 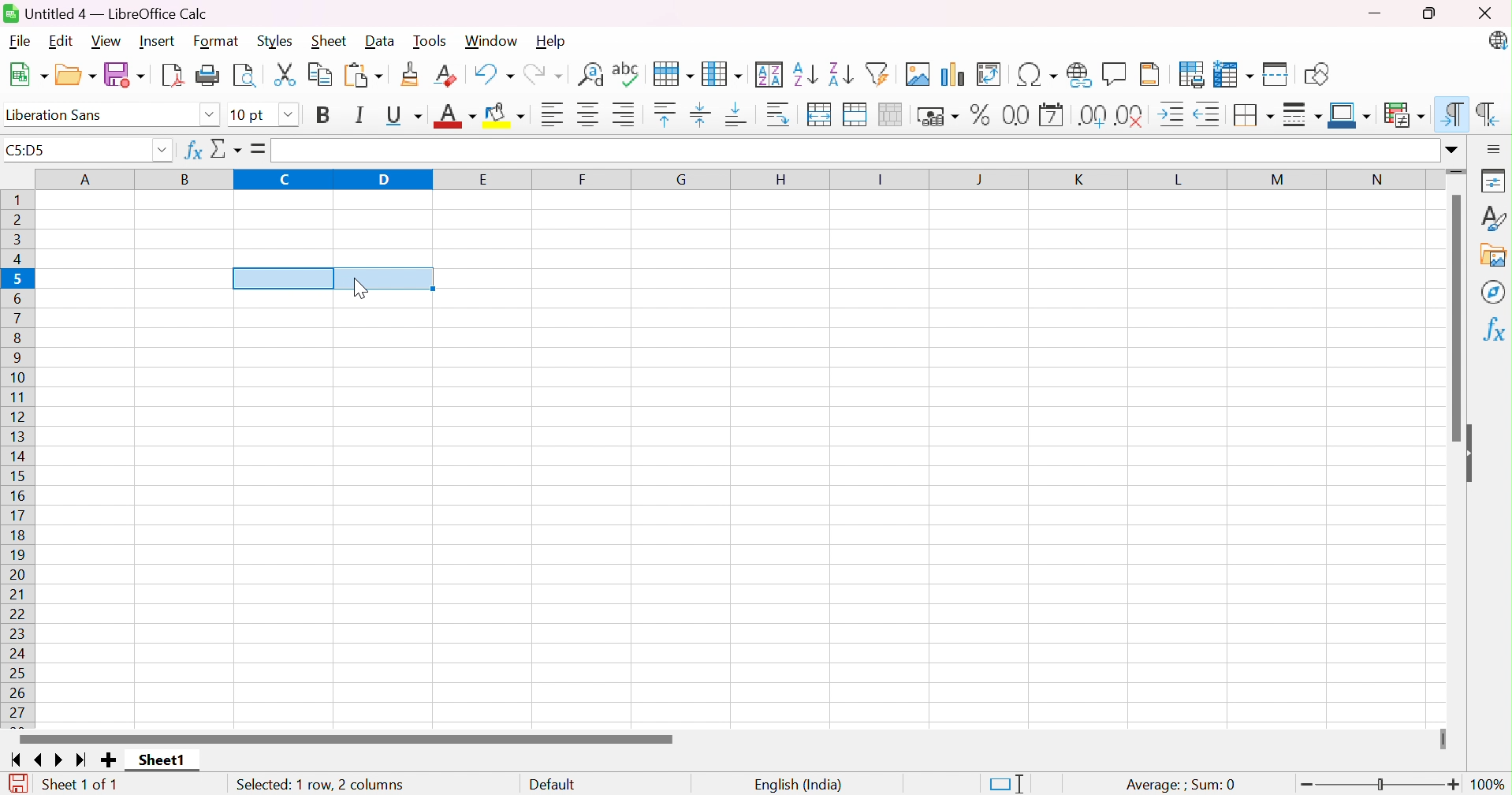 What do you see at coordinates (553, 42) in the screenshot?
I see `Help` at bounding box center [553, 42].